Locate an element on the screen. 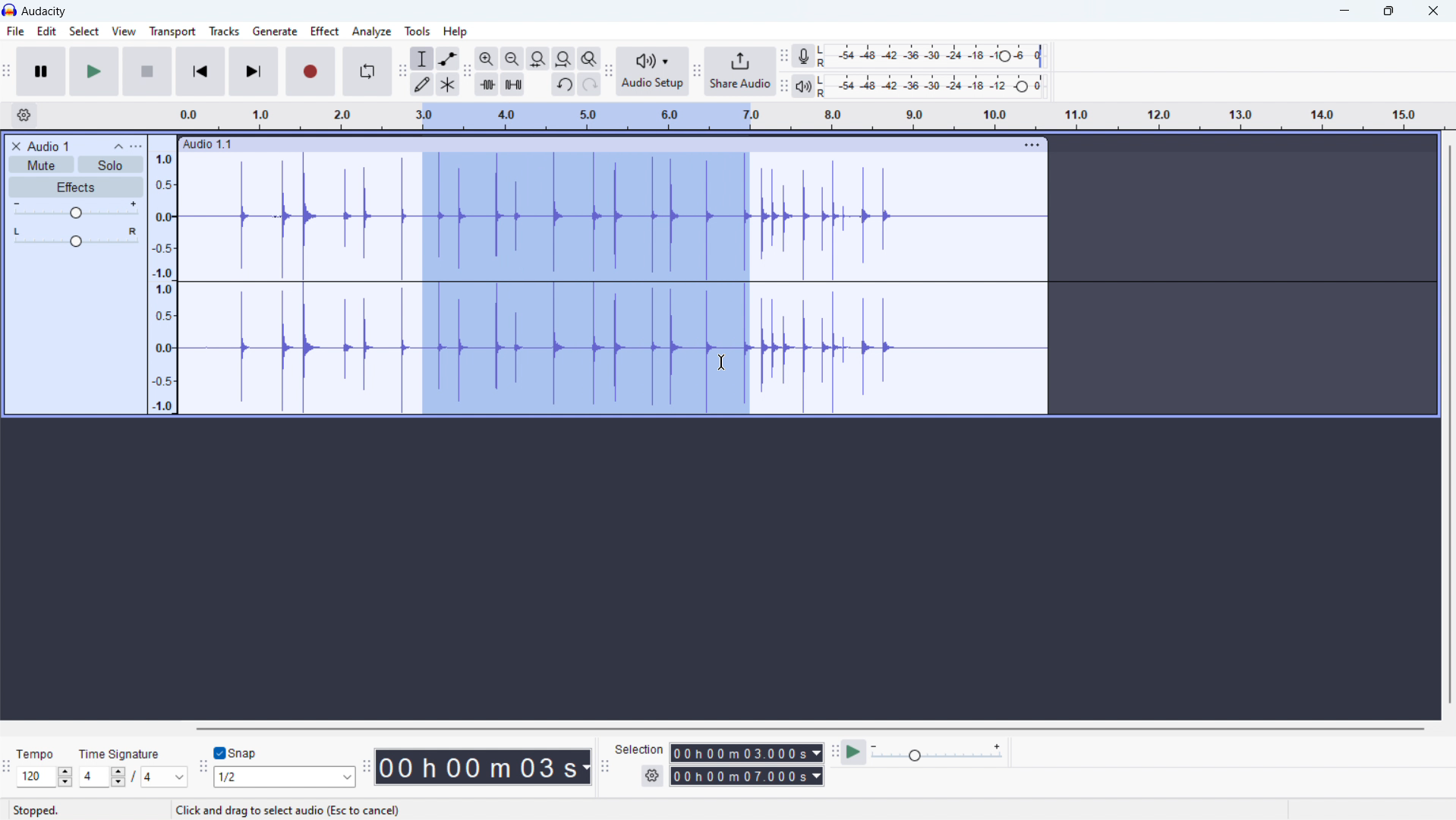 The image size is (1456, 820). multi tool is located at coordinates (448, 84).